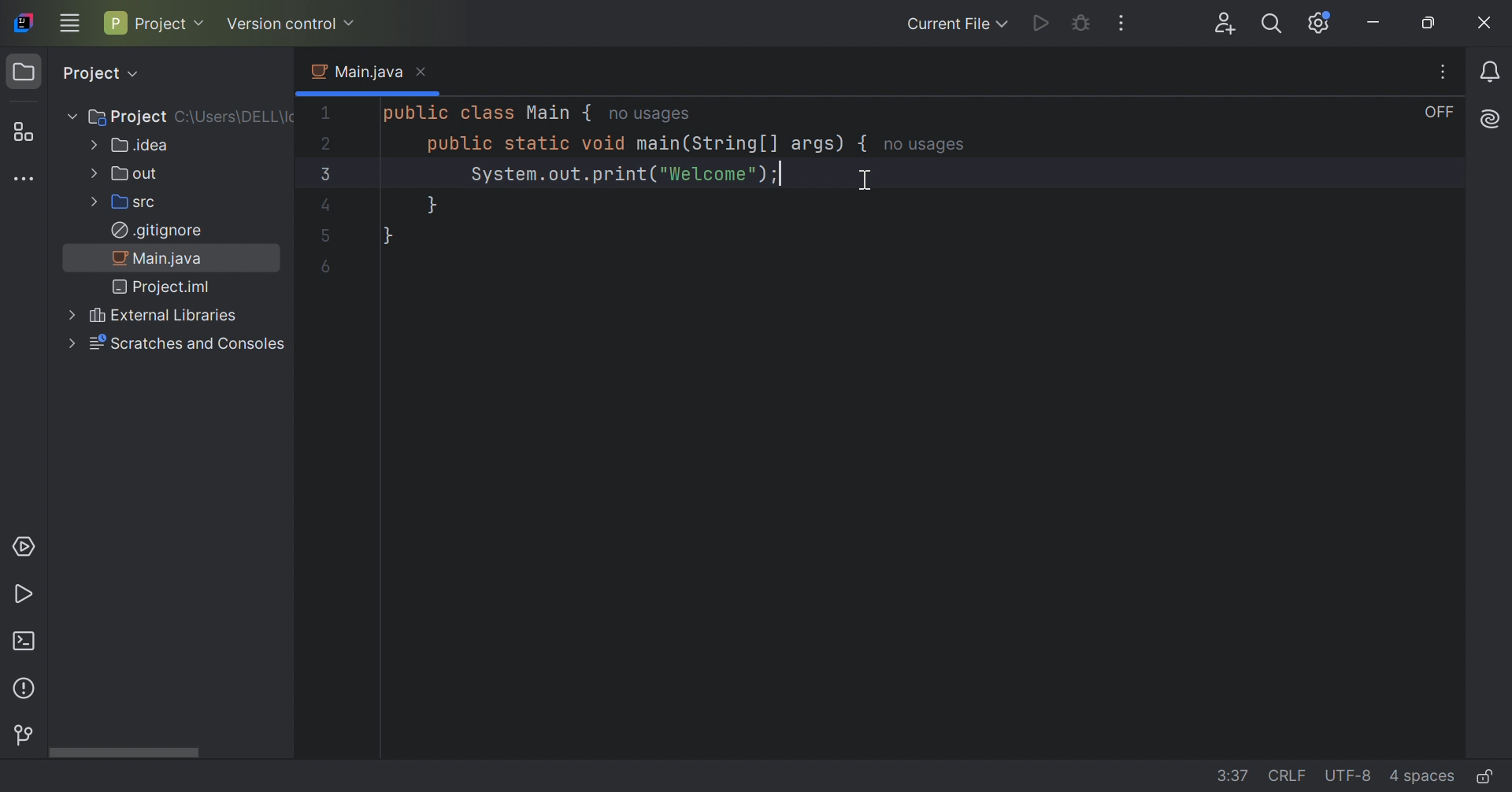 The height and width of the screenshot is (792, 1512). Describe the element at coordinates (1492, 120) in the screenshot. I see `AI Assistance` at that location.